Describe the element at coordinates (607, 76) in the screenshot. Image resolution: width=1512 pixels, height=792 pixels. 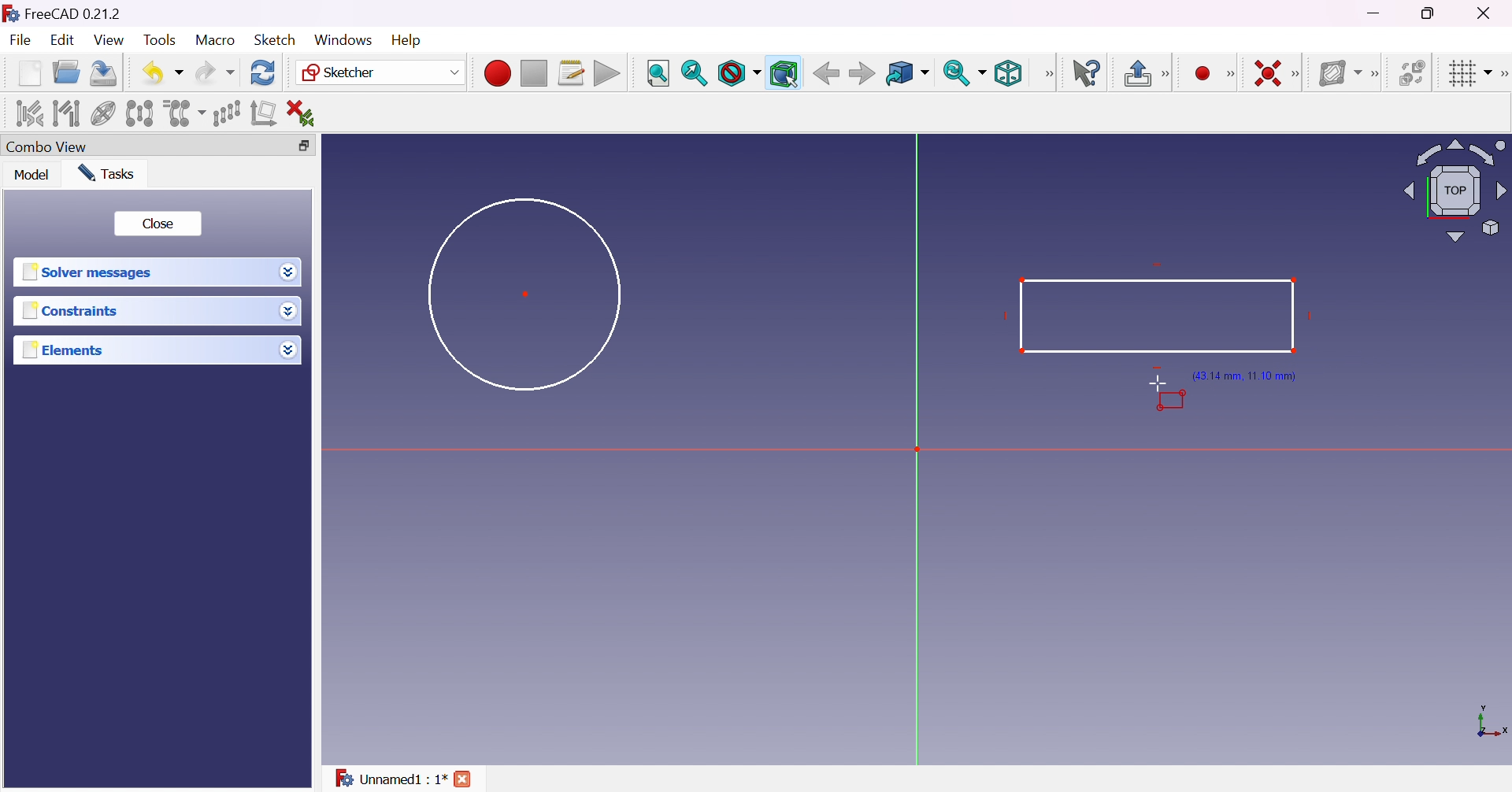
I see `Execute macro` at that location.